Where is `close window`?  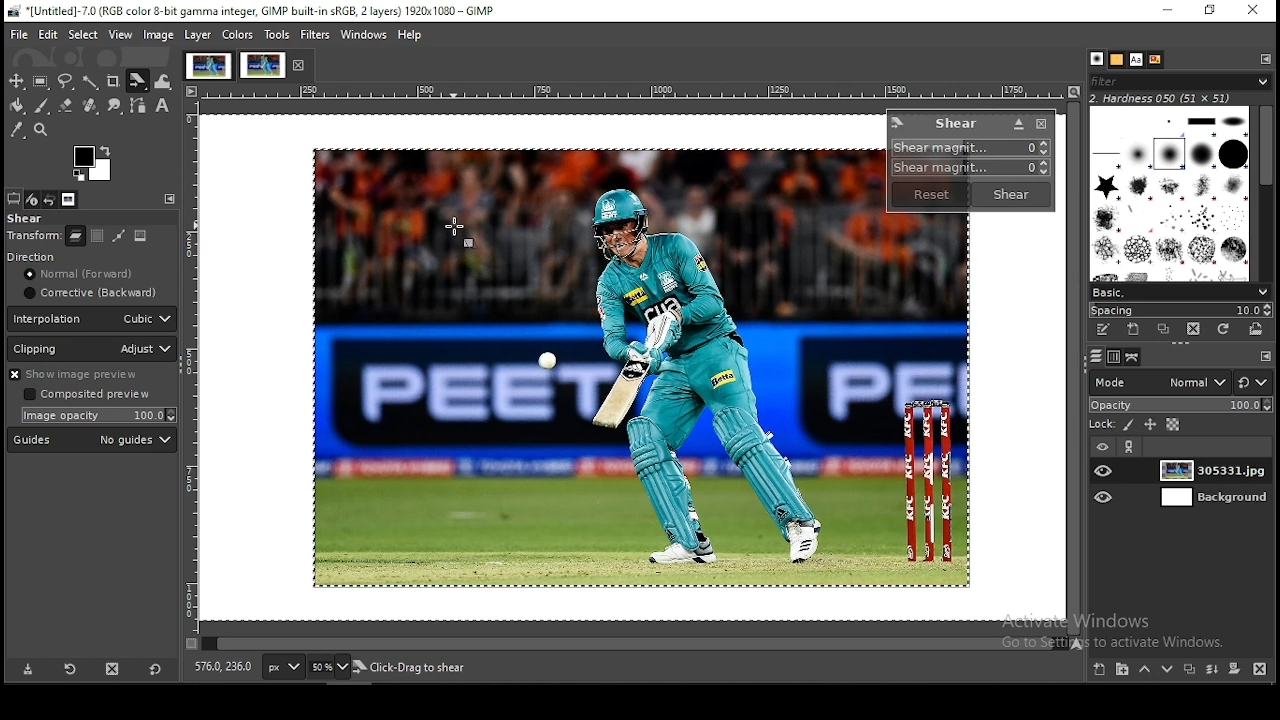 close window is located at coordinates (1249, 11).